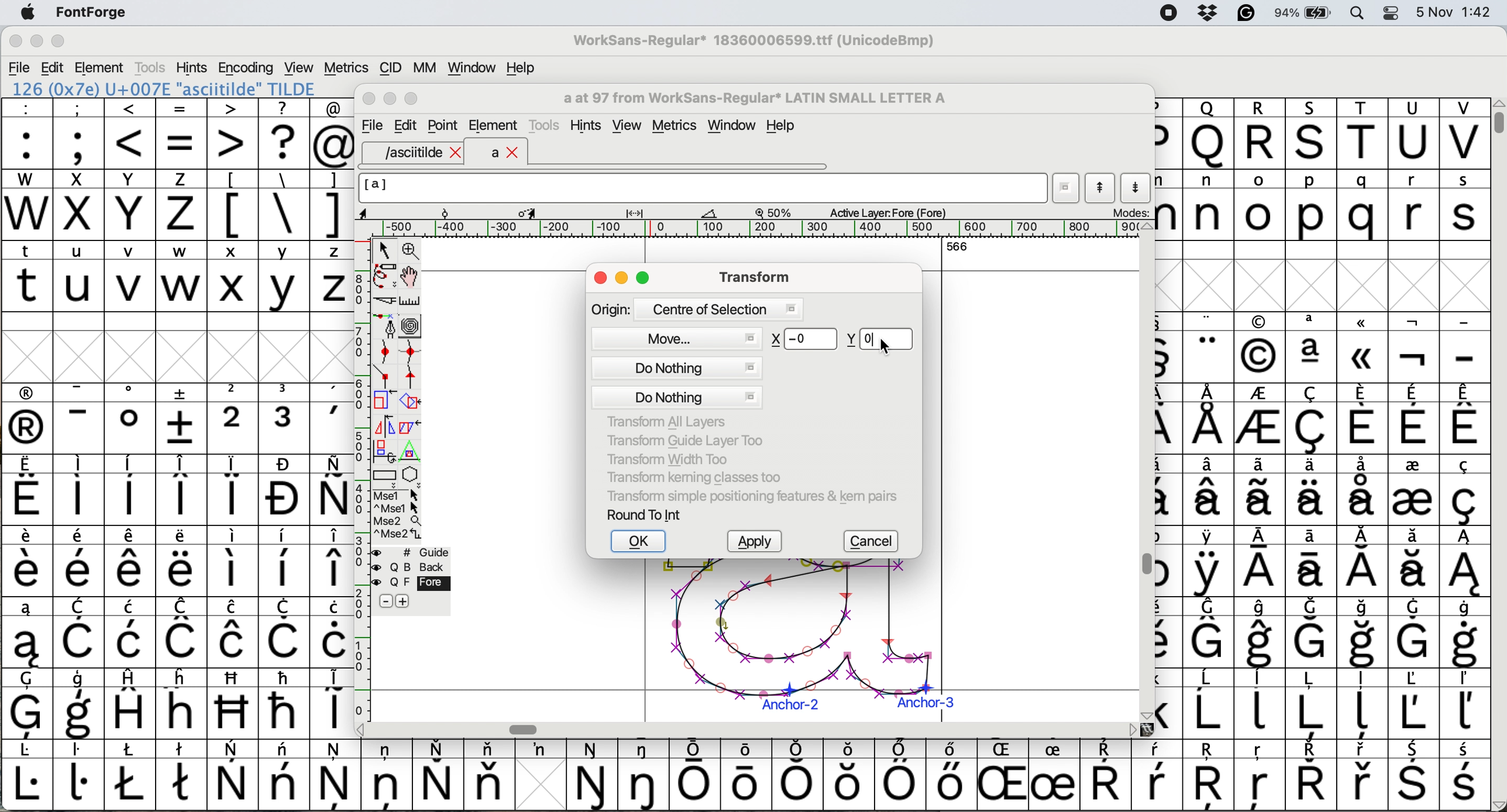 The image size is (1507, 812). Describe the element at coordinates (28, 704) in the screenshot. I see `symbol` at that location.